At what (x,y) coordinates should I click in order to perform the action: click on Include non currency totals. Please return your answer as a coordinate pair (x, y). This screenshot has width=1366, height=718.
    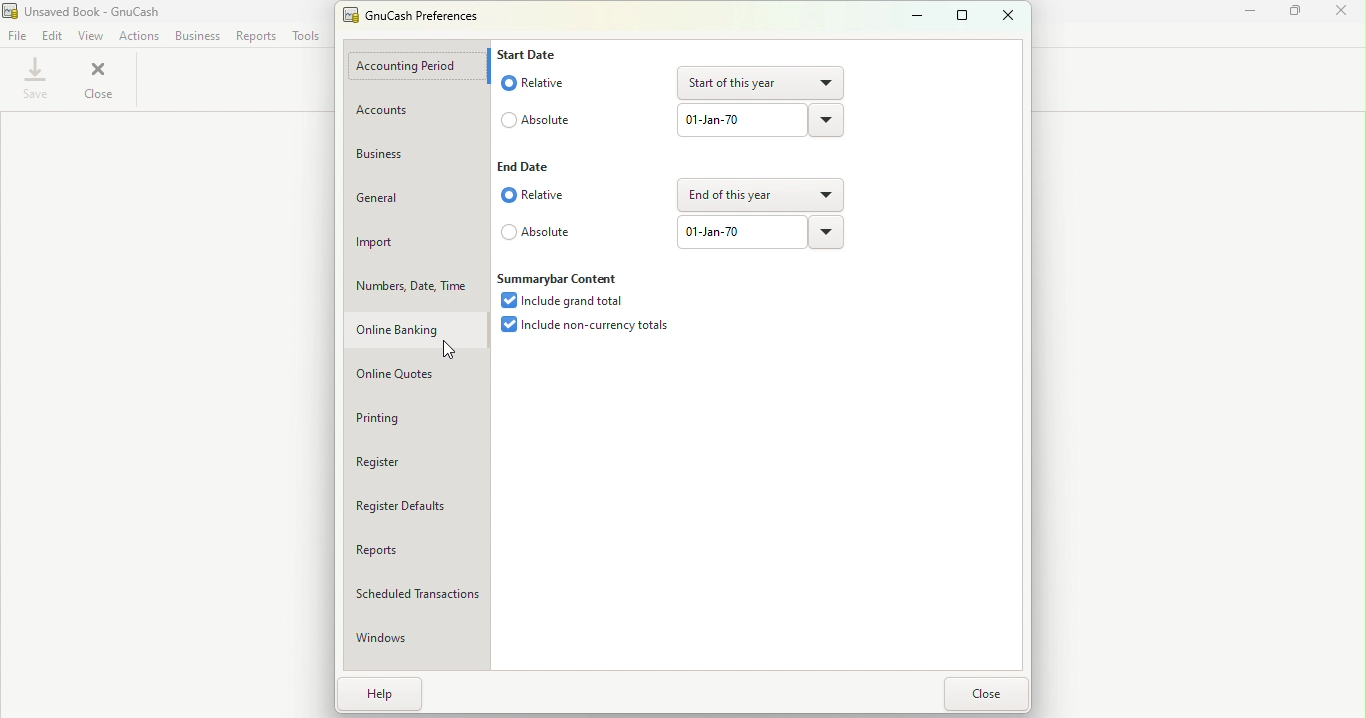
    Looking at the image, I should click on (593, 328).